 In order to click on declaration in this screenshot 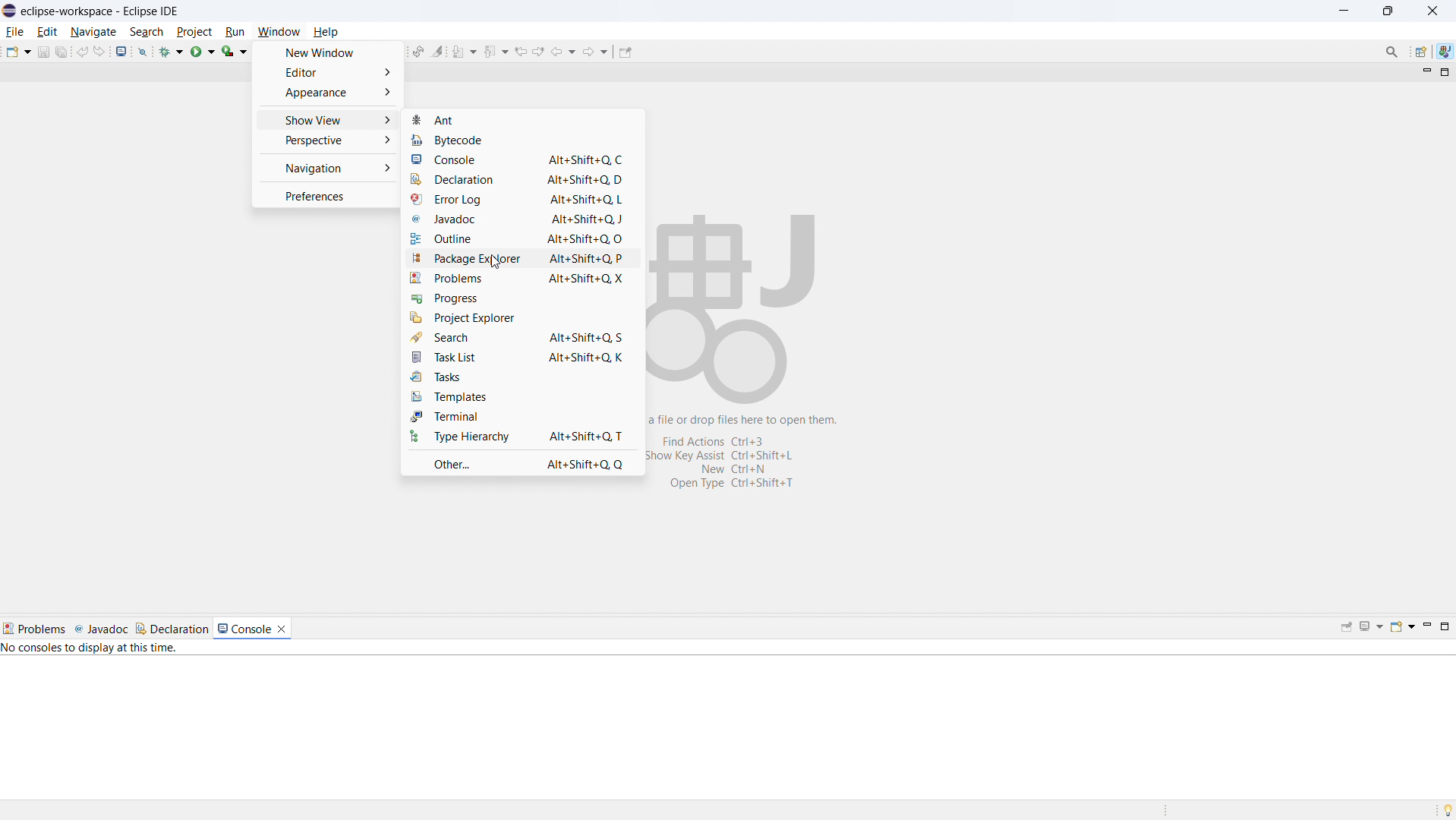, I will do `click(172, 628)`.